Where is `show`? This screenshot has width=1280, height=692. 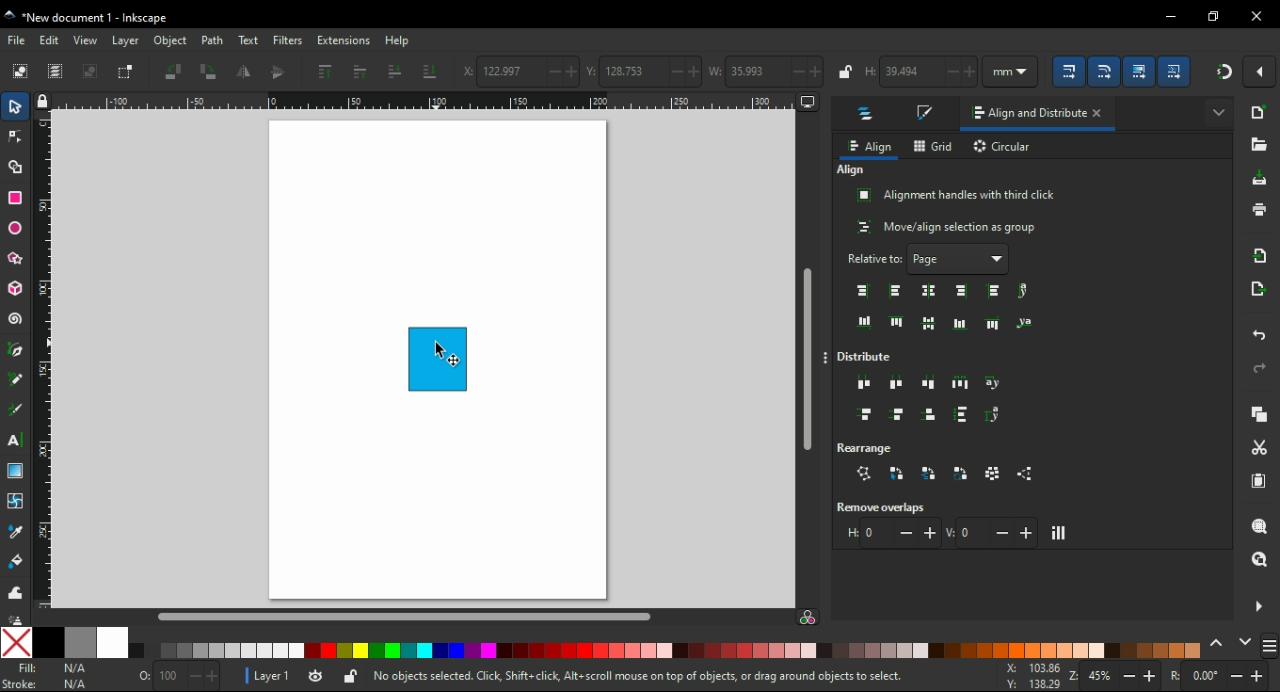
show is located at coordinates (1000, 259).